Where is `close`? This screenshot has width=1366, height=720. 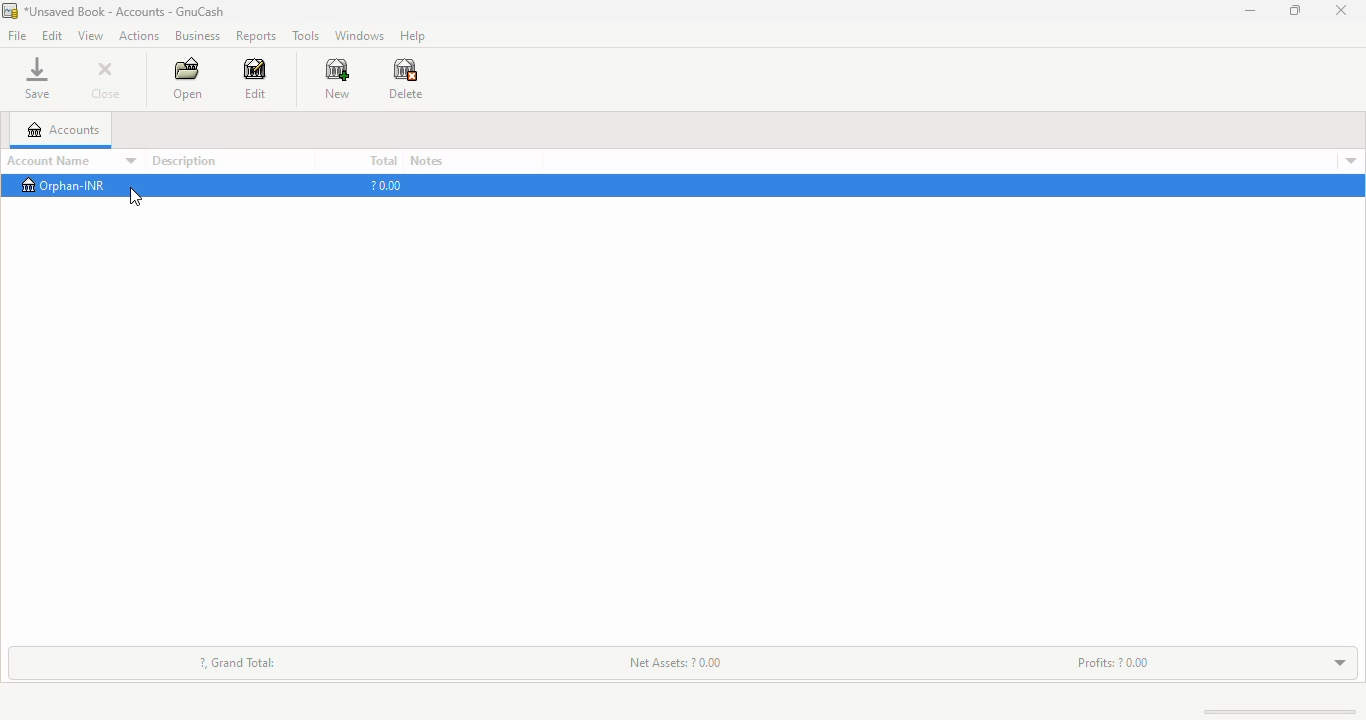 close is located at coordinates (105, 80).